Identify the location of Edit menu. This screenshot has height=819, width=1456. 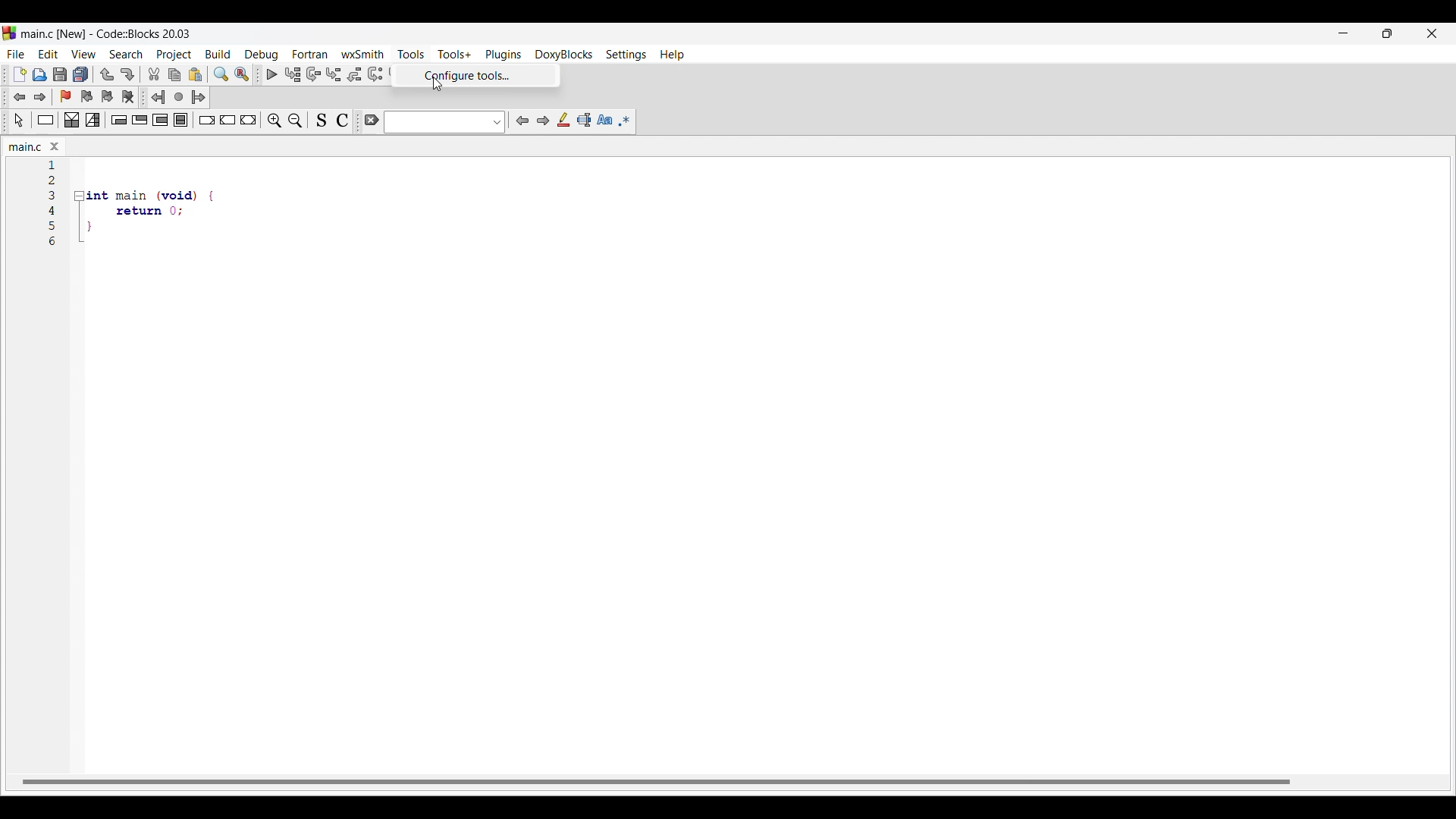
(48, 55).